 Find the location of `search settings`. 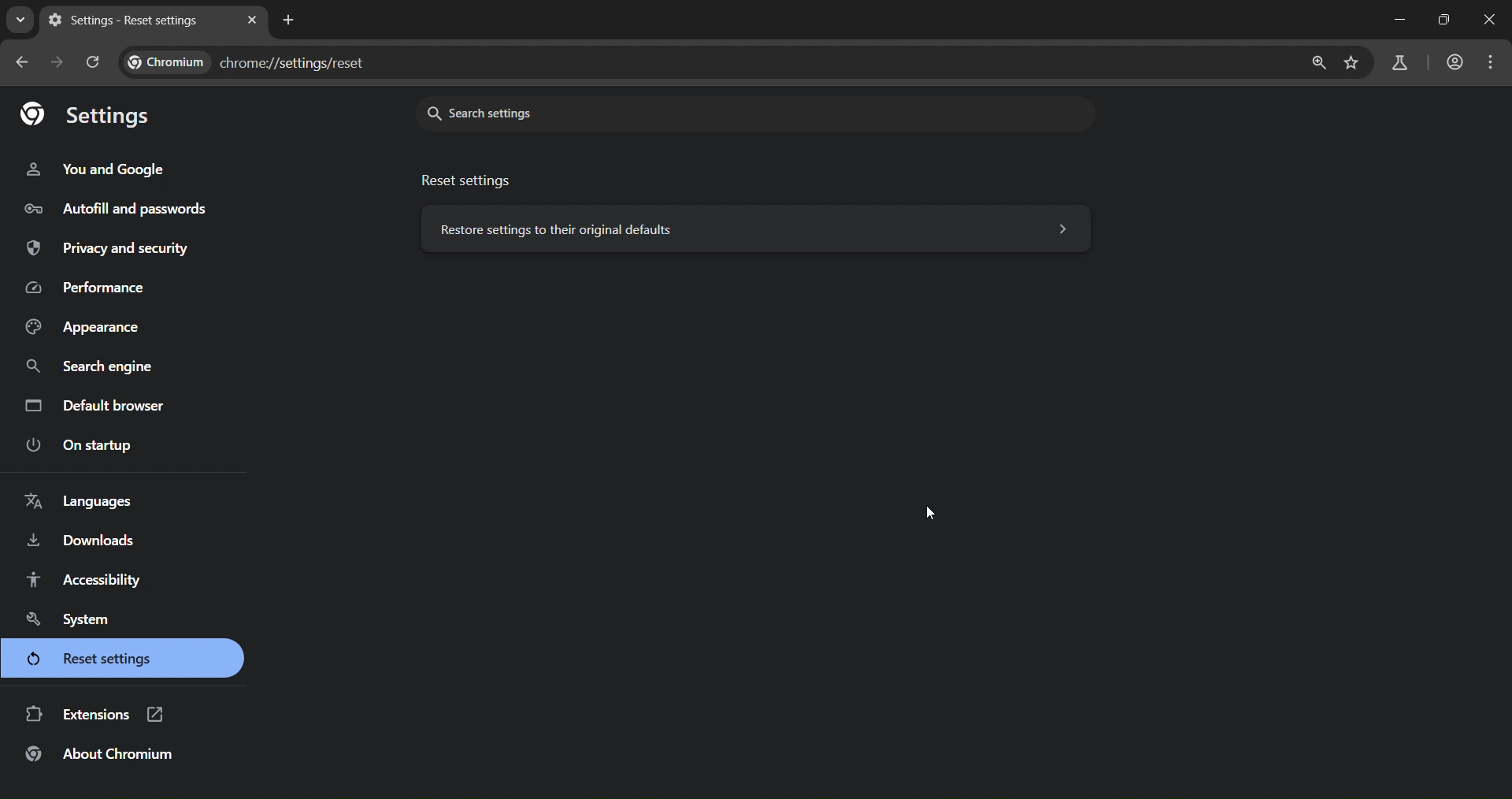

search settings is located at coordinates (628, 109).